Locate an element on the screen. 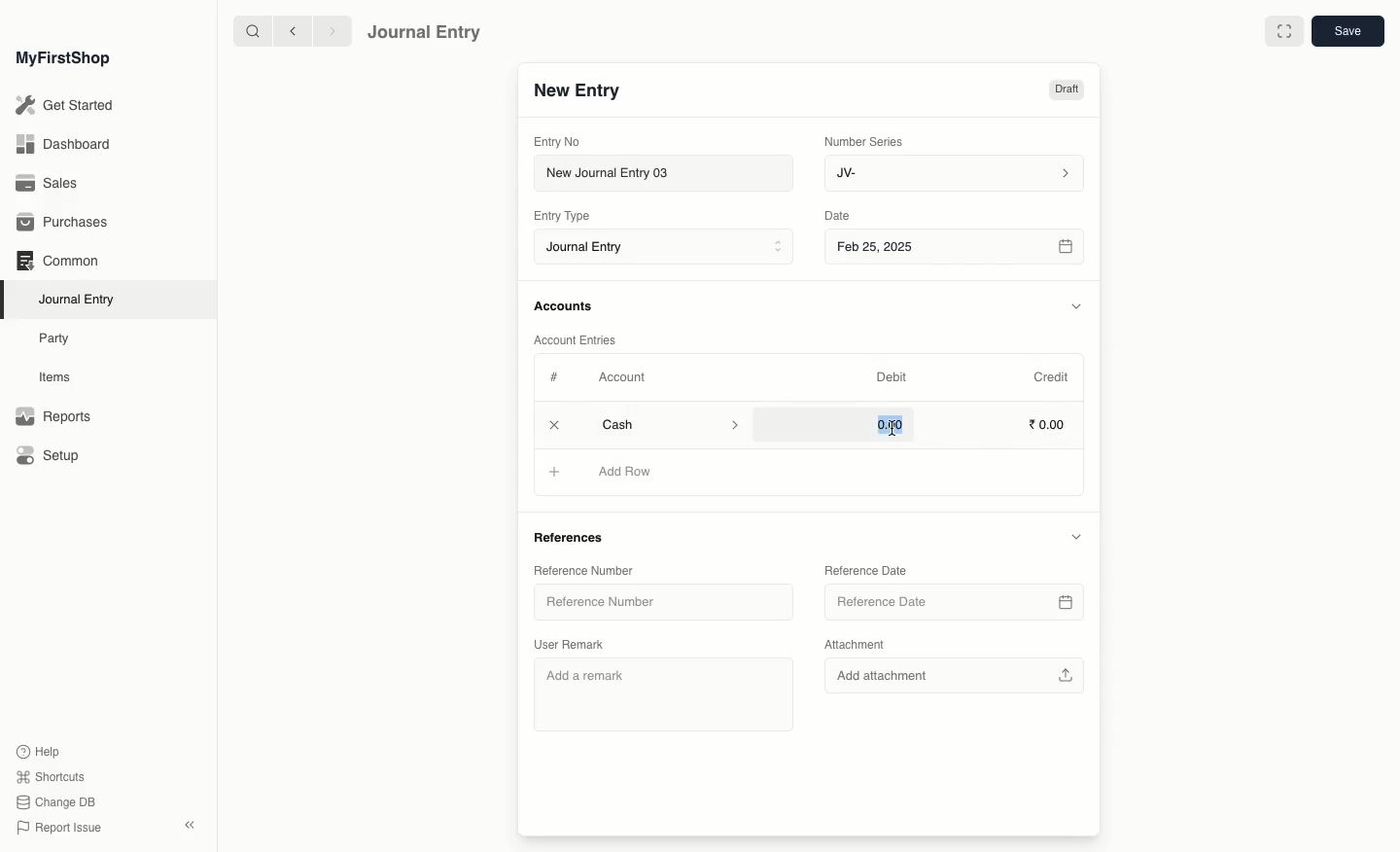 The width and height of the screenshot is (1400, 852). Accounts is located at coordinates (565, 306).